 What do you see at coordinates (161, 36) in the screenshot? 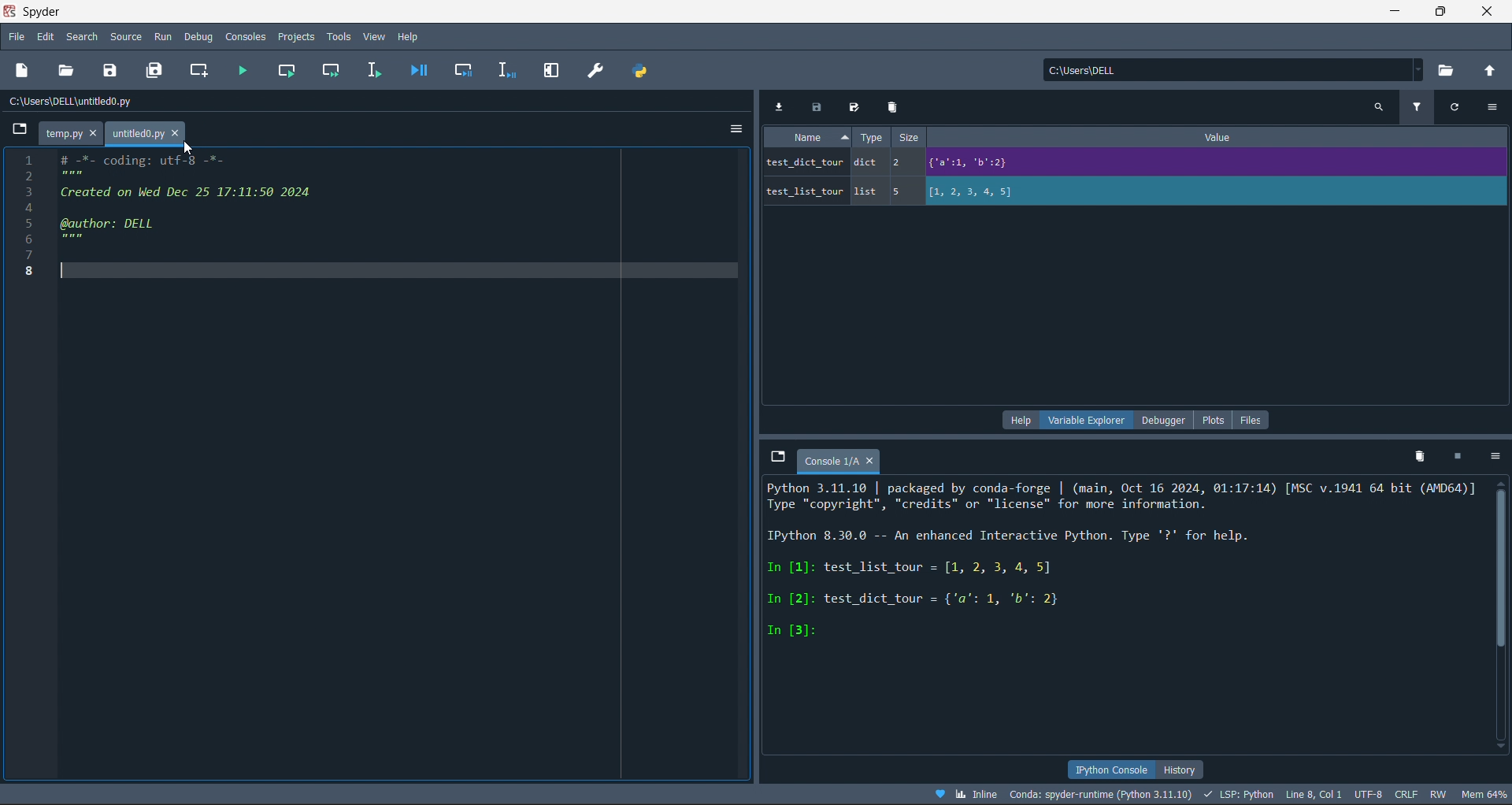
I see `run` at bounding box center [161, 36].